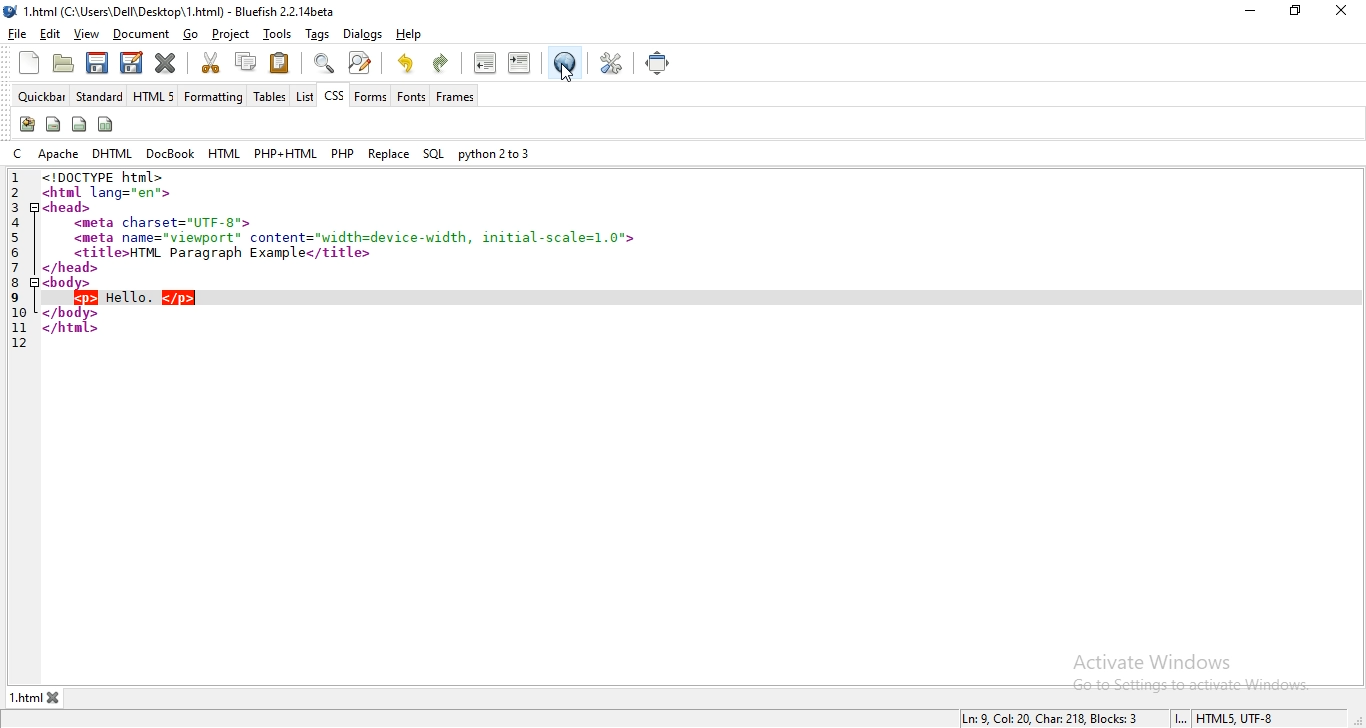 This screenshot has width=1366, height=728. I want to click on go, so click(192, 34).